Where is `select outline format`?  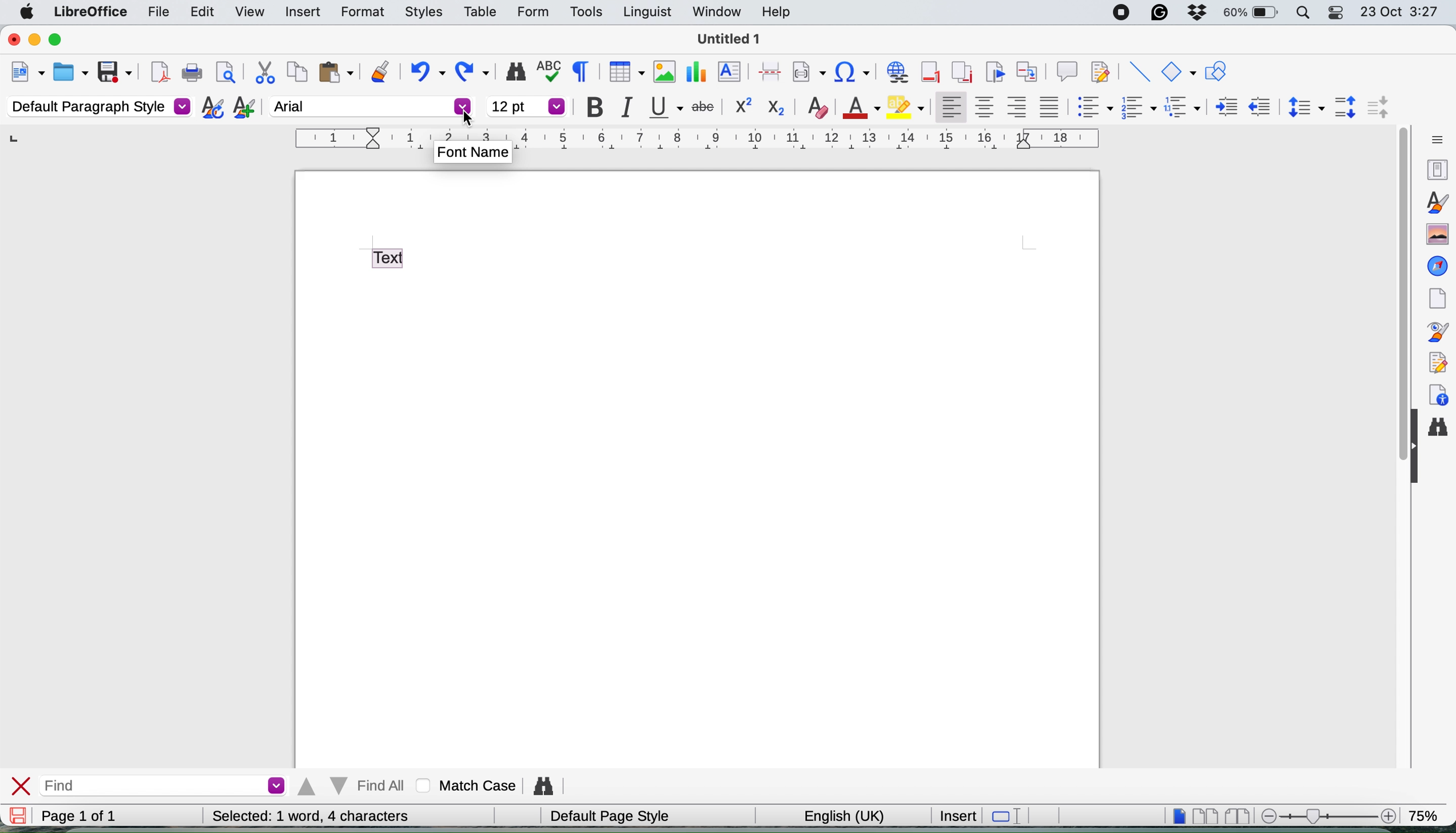
select outline format is located at coordinates (1183, 108).